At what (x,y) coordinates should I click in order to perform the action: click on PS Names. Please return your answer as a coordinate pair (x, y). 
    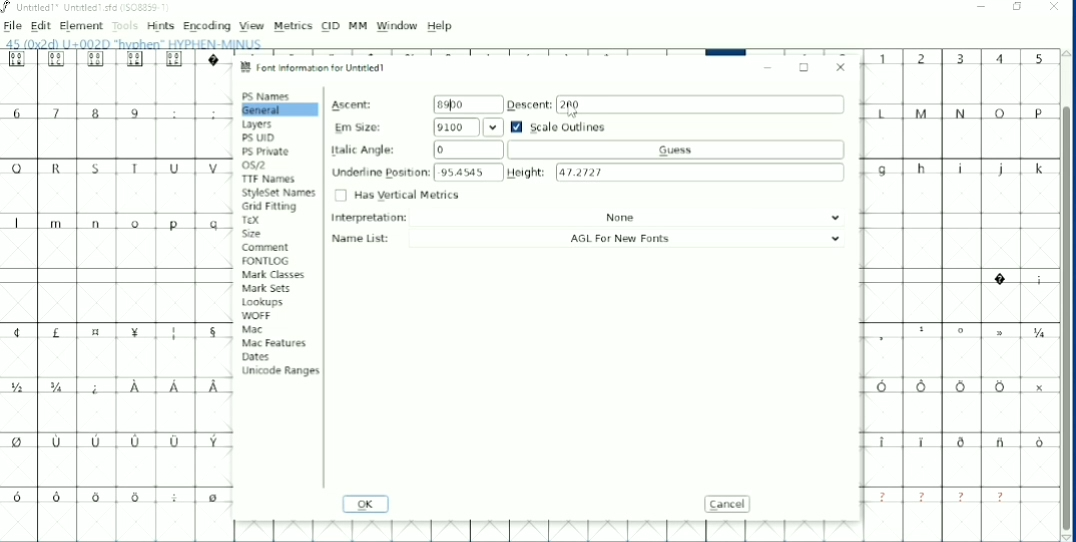
    Looking at the image, I should click on (267, 96).